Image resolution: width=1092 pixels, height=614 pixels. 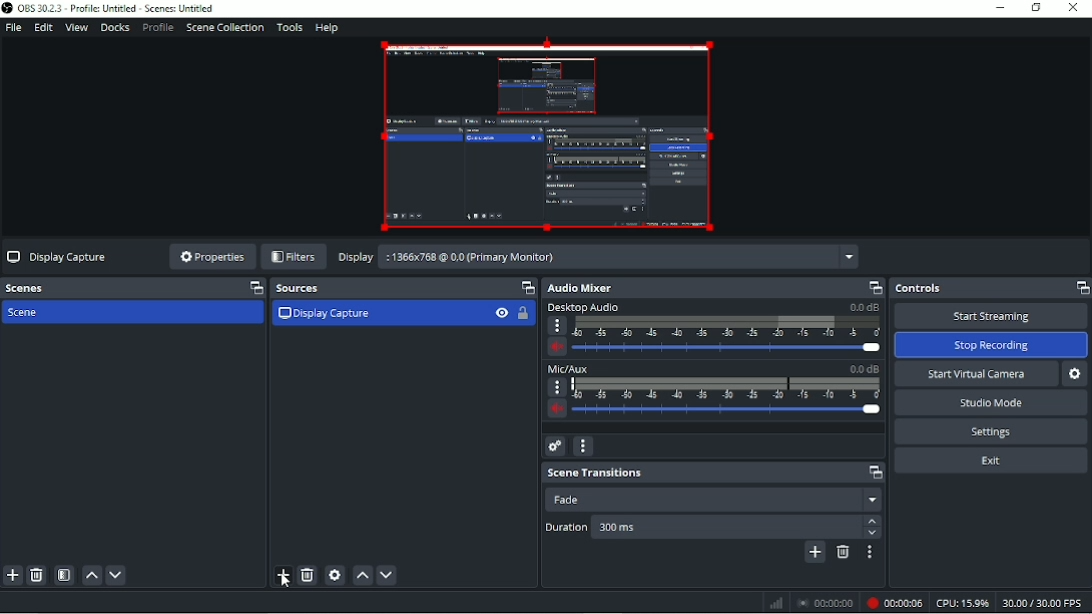 I want to click on Graph, so click(x=776, y=604).